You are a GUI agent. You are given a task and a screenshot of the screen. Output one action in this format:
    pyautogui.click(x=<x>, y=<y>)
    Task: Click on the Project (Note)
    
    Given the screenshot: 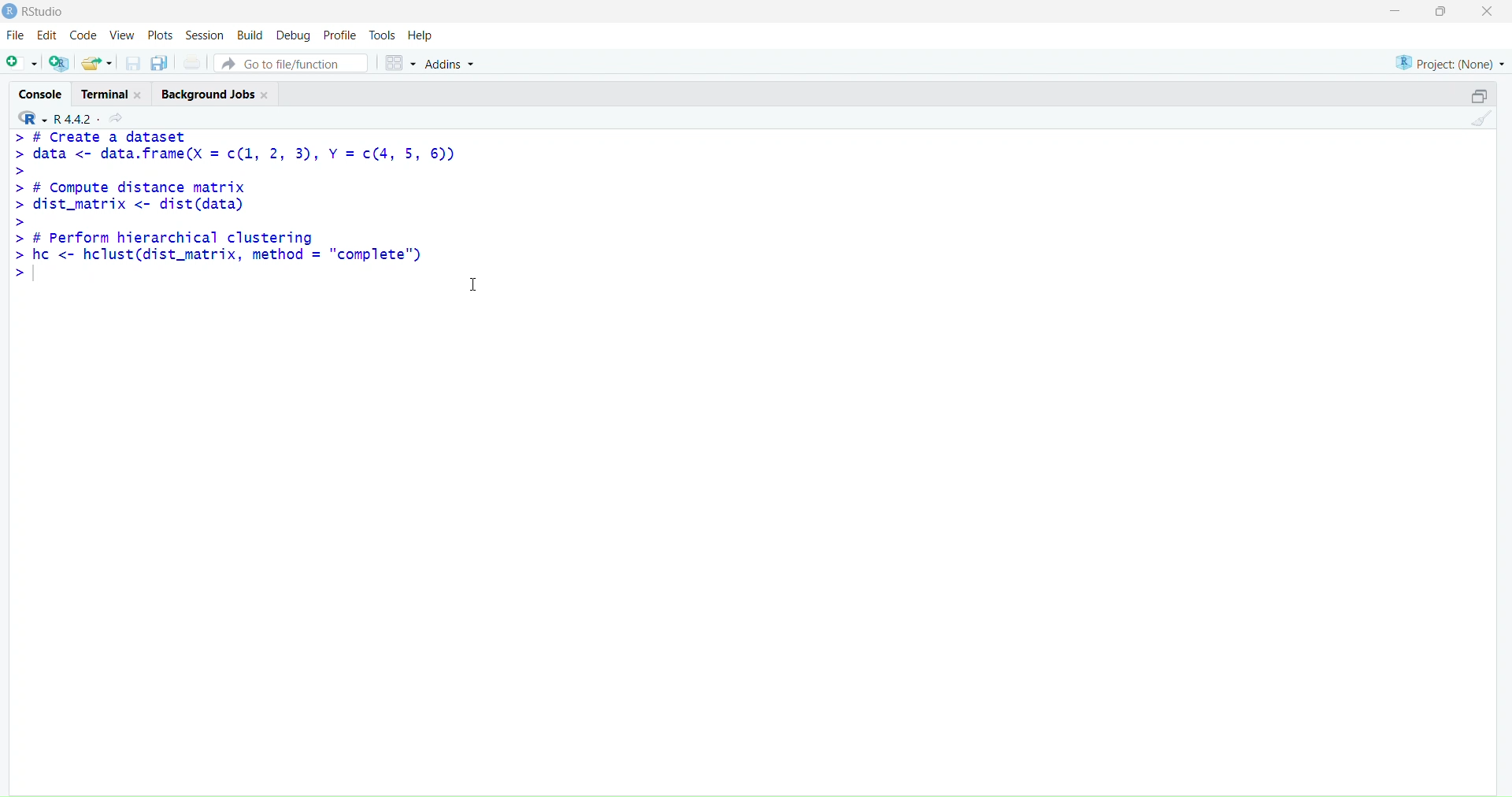 What is the action you would take?
    pyautogui.click(x=1451, y=61)
    